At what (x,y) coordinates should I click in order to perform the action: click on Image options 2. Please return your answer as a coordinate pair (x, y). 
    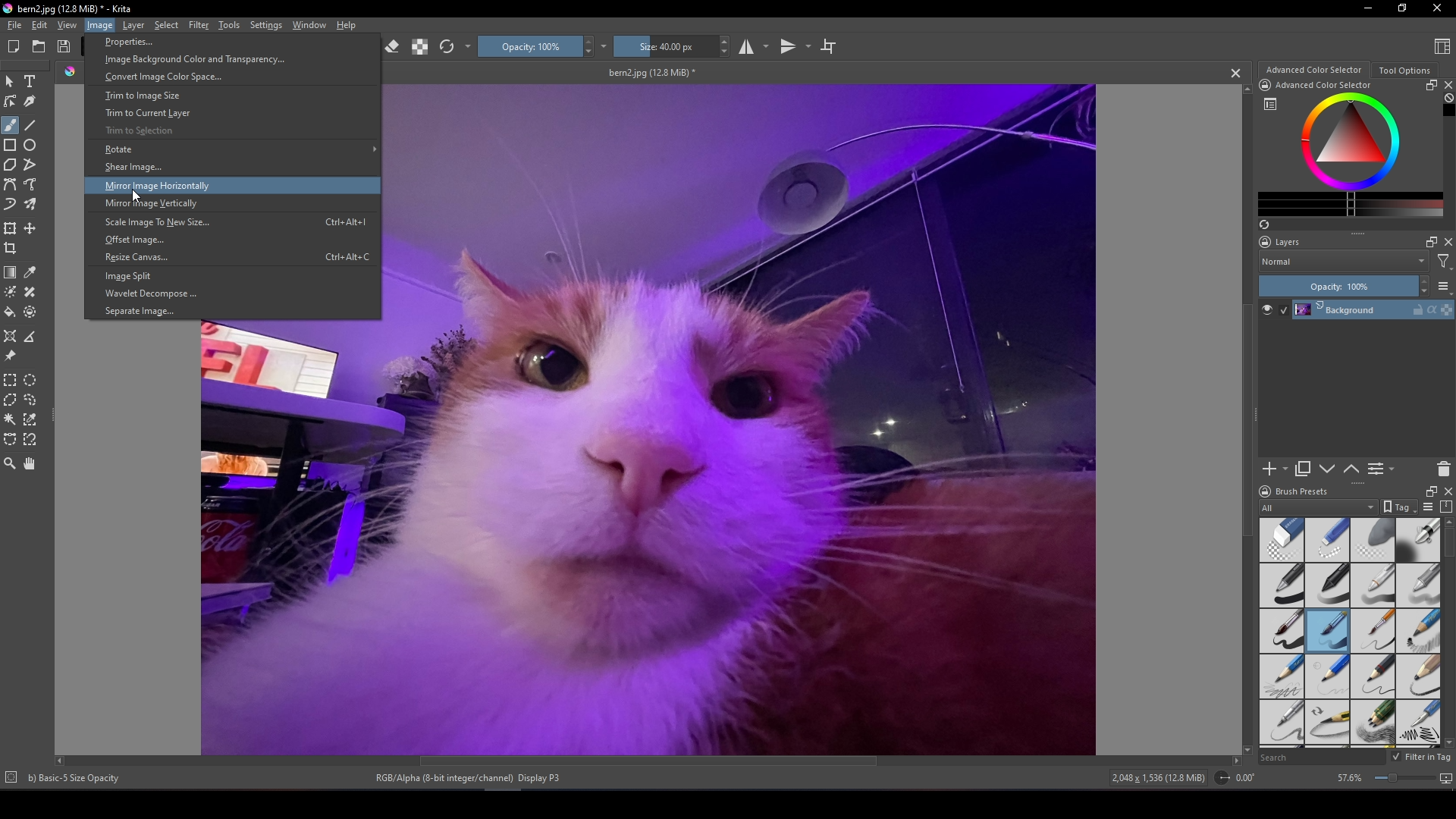
    Looking at the image, I should click on (607, 45).